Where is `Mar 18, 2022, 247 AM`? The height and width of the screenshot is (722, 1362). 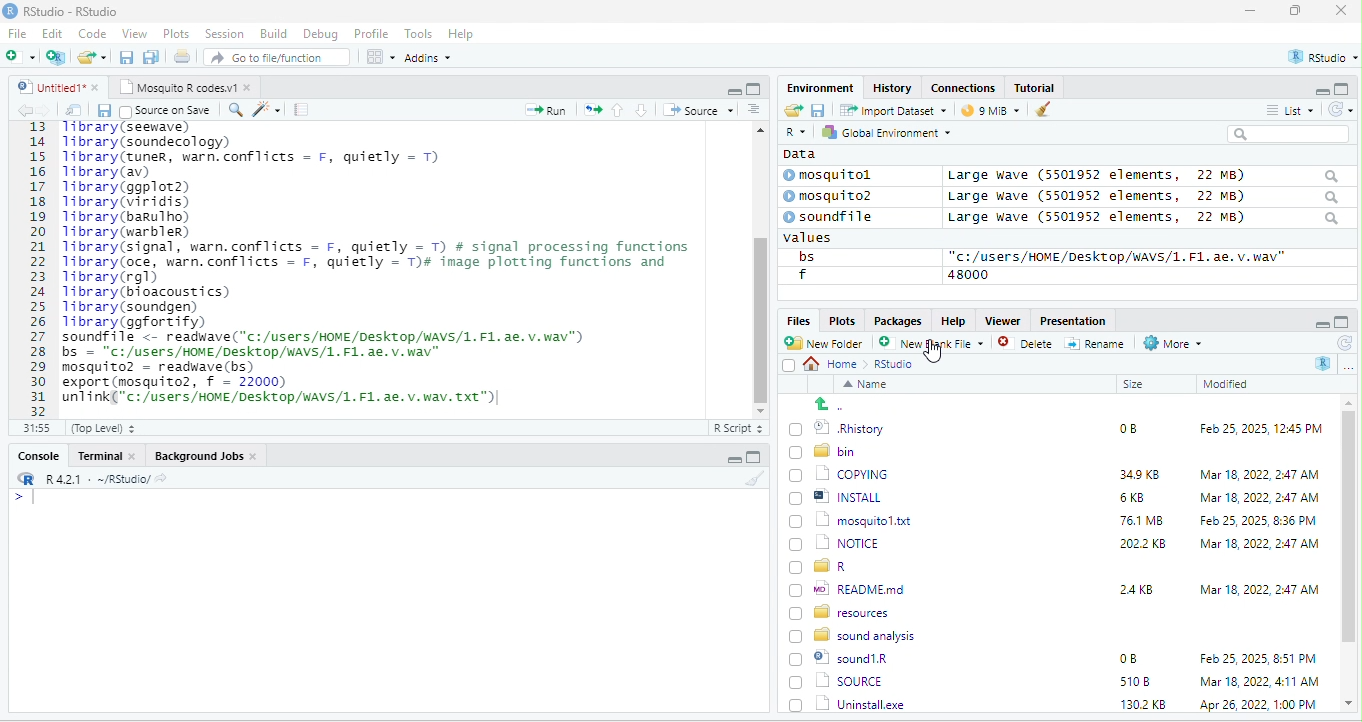
Mar 18, 2022, 247 AM is located at coordinates (1260, 474).